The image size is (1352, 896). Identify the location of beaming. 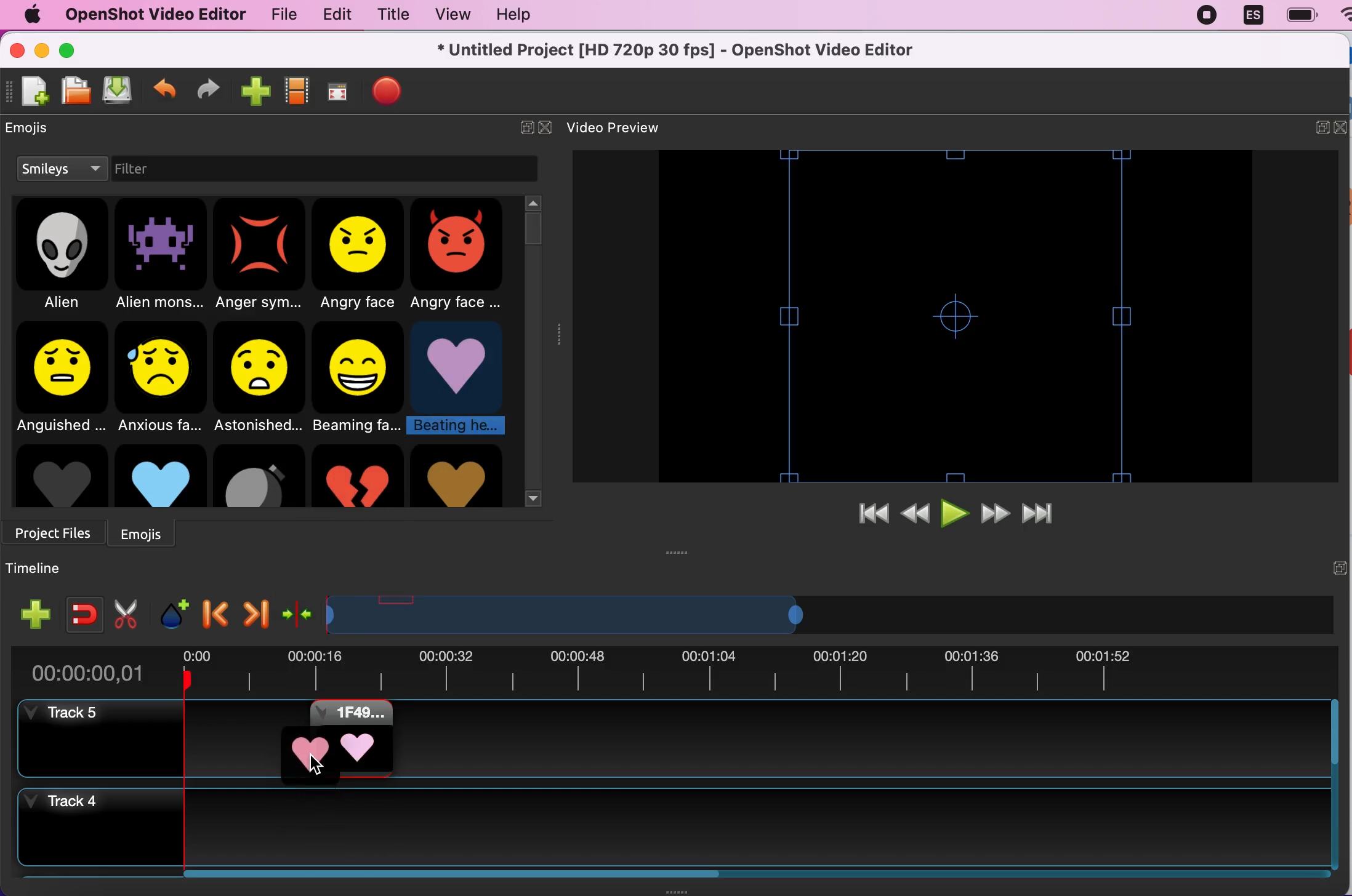
(361, 378).